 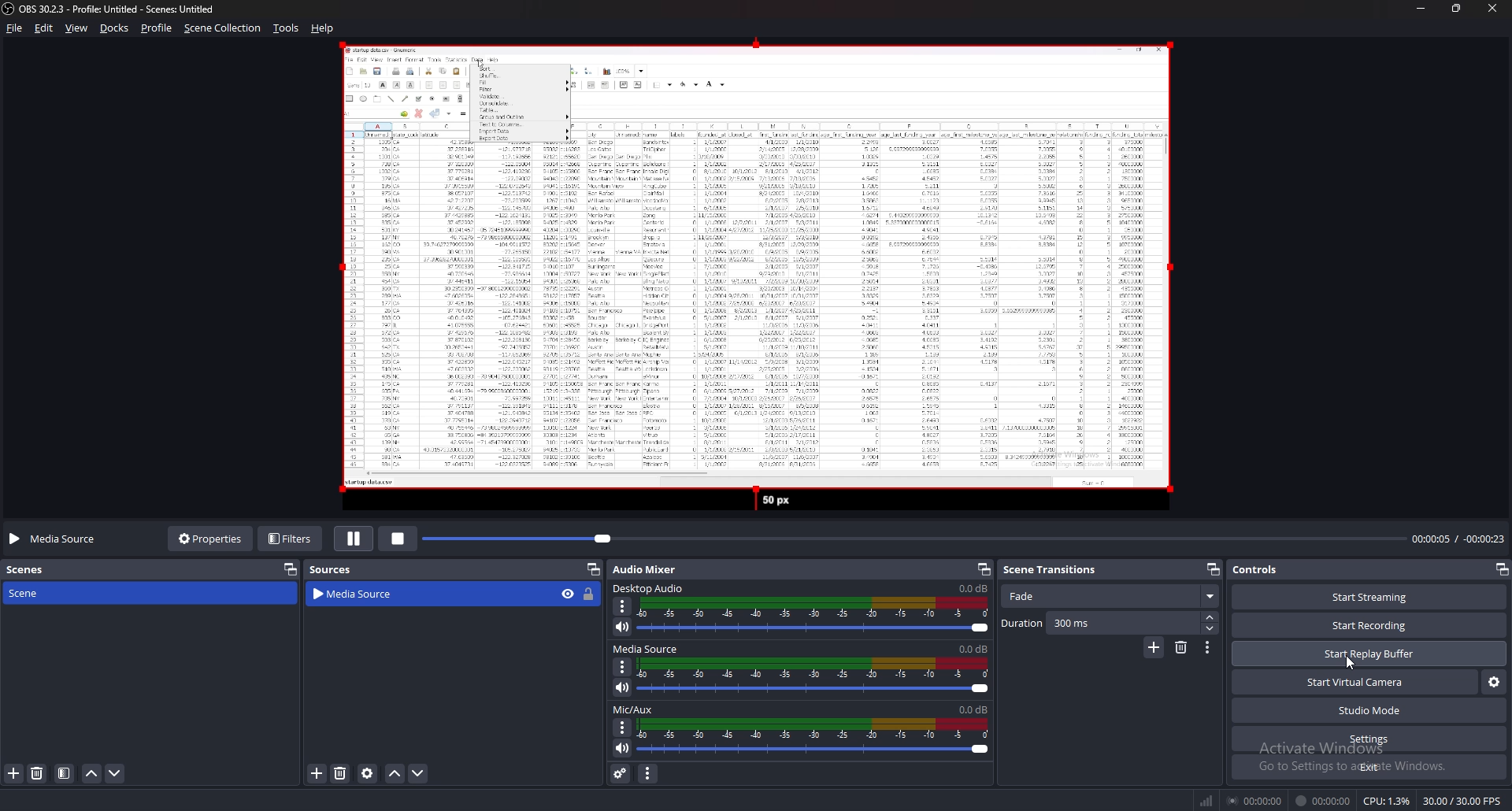 I want to click on scene collection, so click(x=222, y=28).